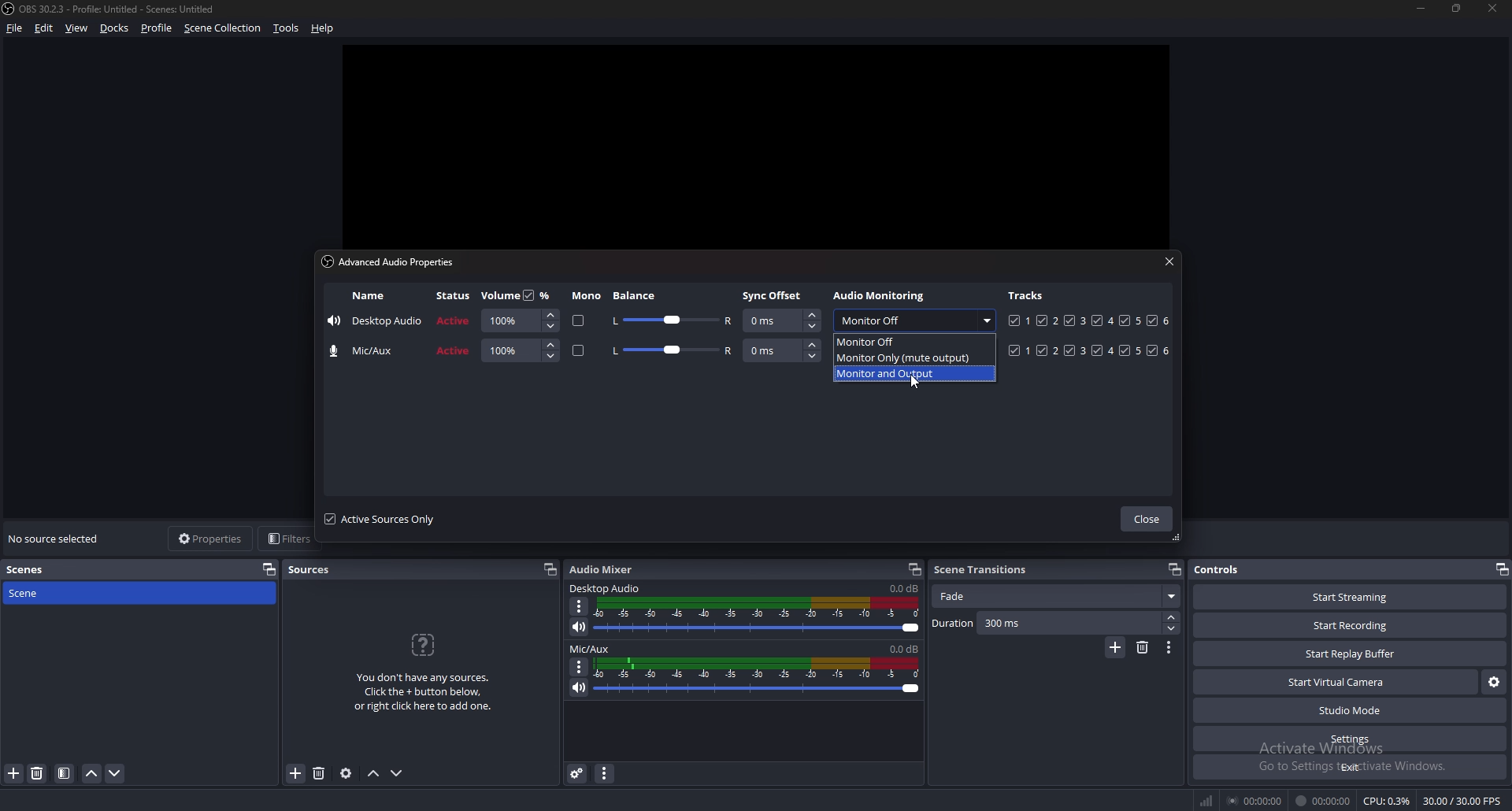  What do you see at coordinates (1457, 8) in the screenshot?
I see `resize` at bounding box center [1457, 8].